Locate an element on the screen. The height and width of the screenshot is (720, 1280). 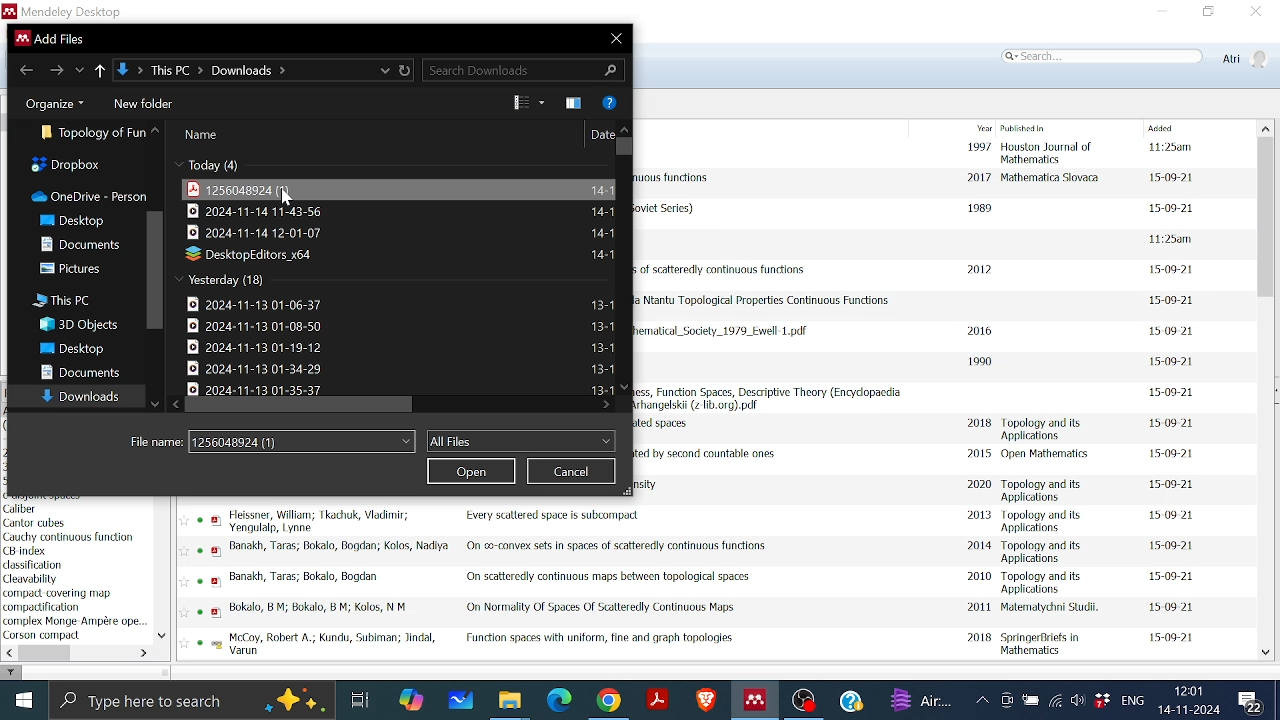
Cursor is located at coordinates (284, 197).